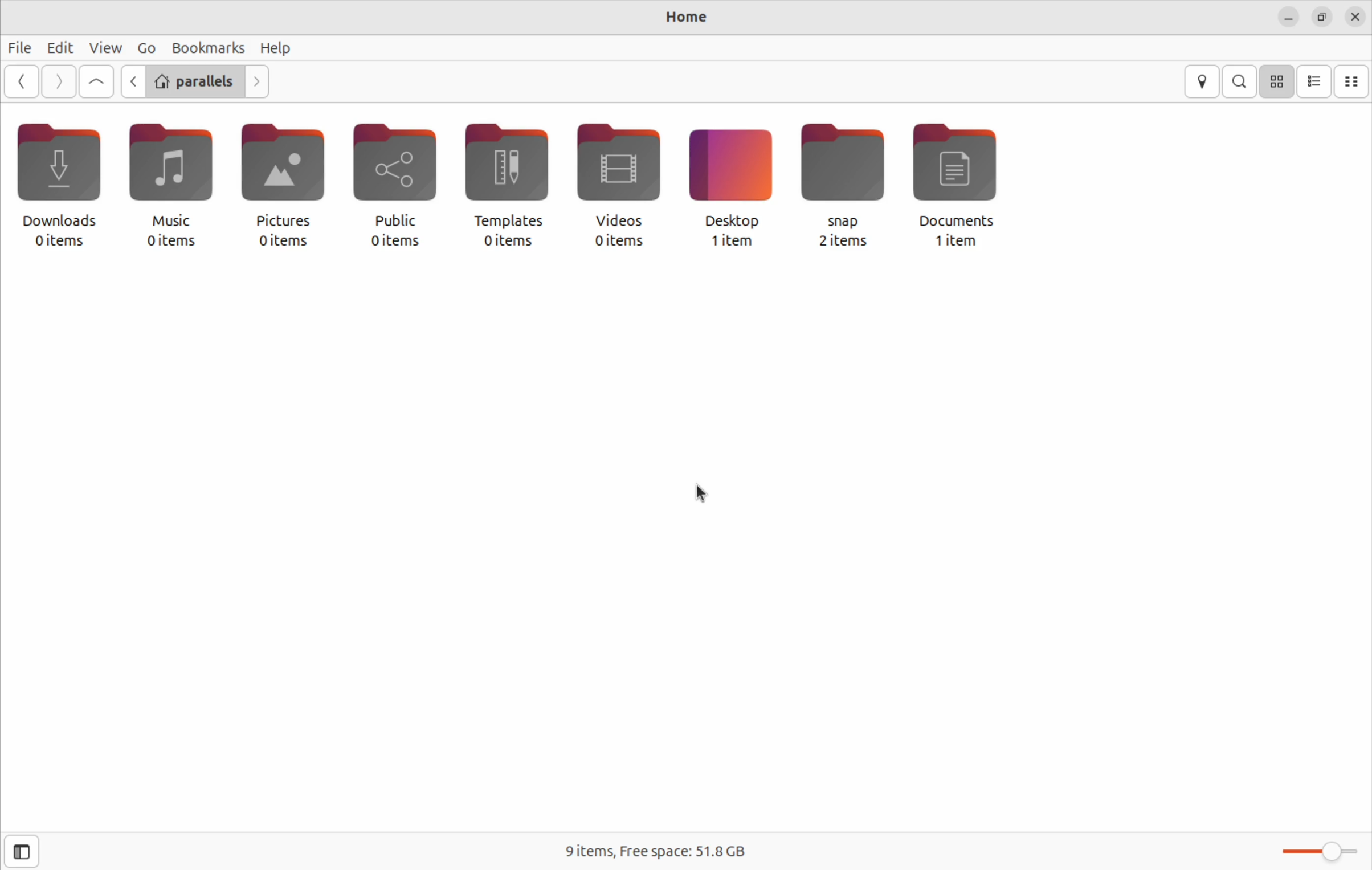 The image size is (1372, 870). Describe the element at coordinates (60, 241) in the screenshot. I see `0 items` at that location.